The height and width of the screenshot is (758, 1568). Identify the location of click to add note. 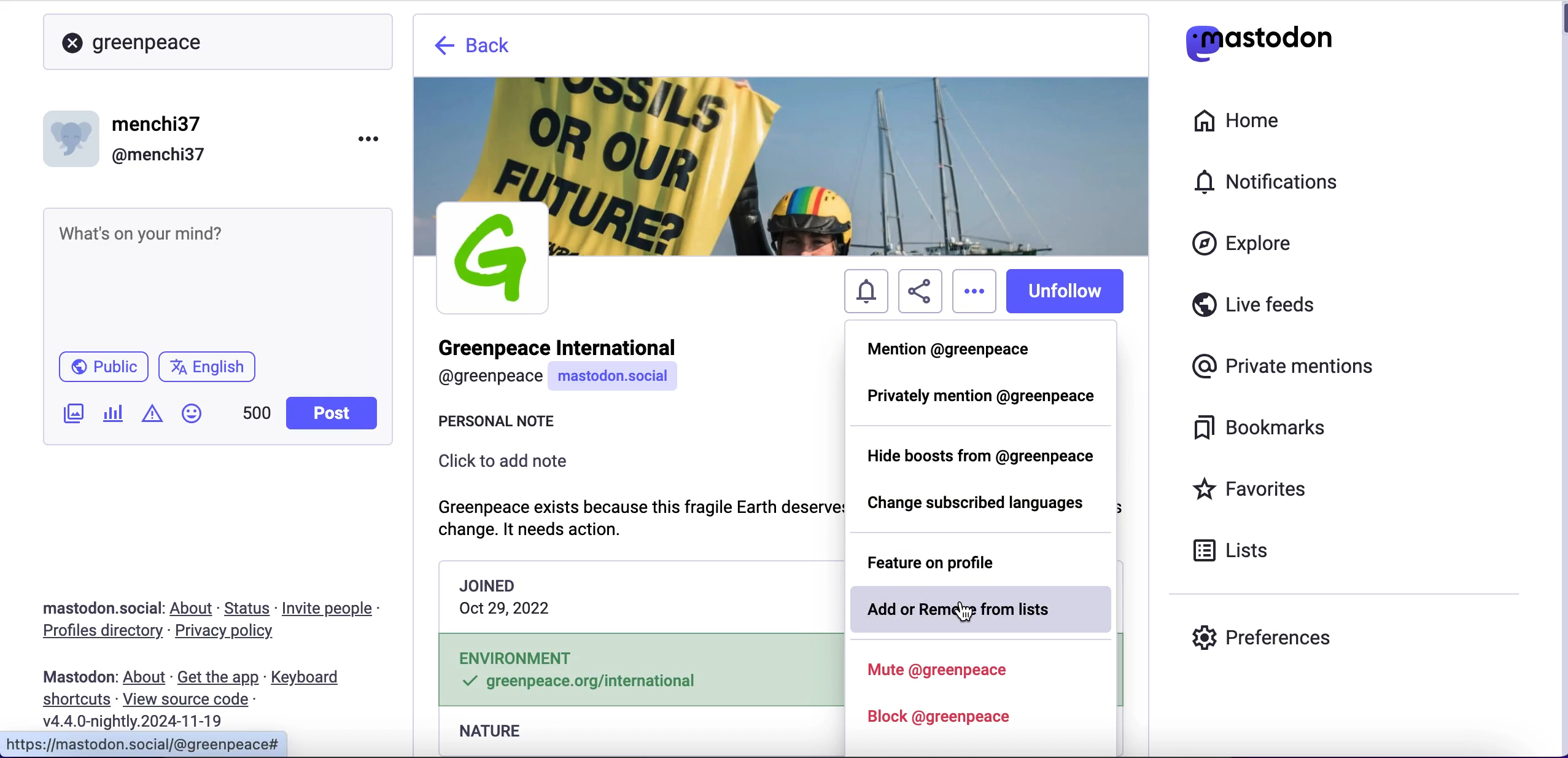
(510, 467).